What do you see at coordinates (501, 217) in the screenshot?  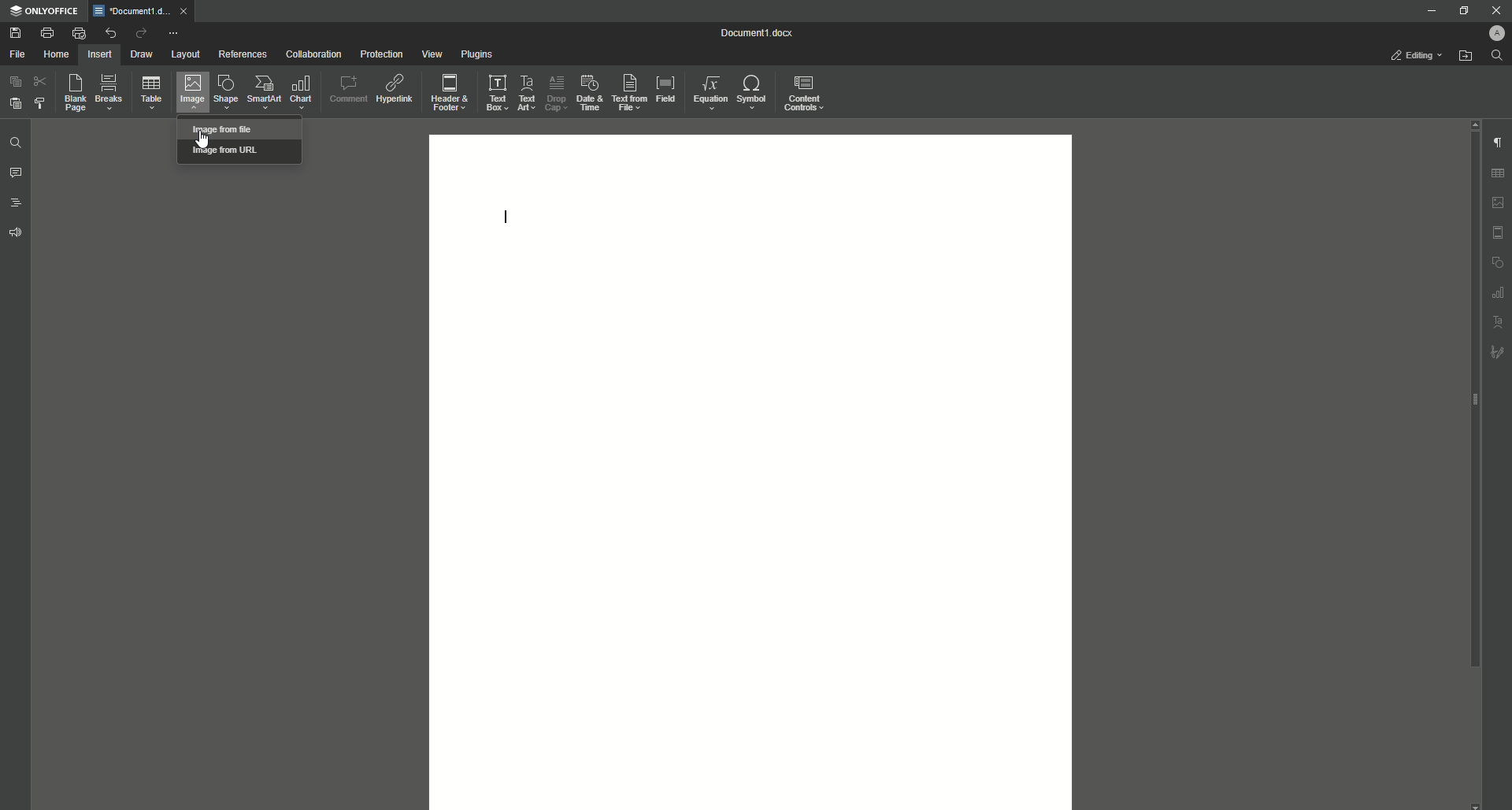 I see `Text Line` at bounding box center [501, 217].